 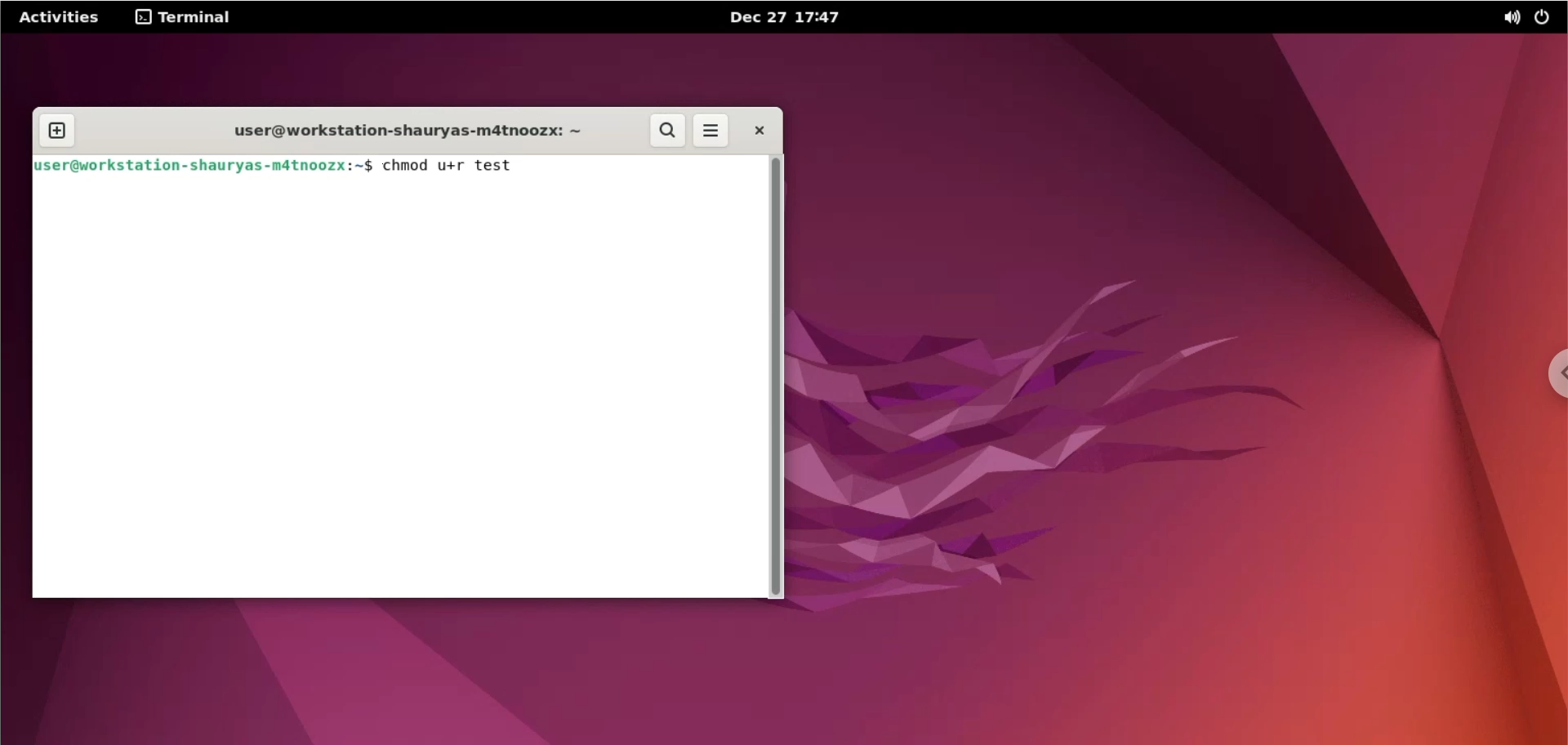 I want to click on search button, so click(x=670, y=132).